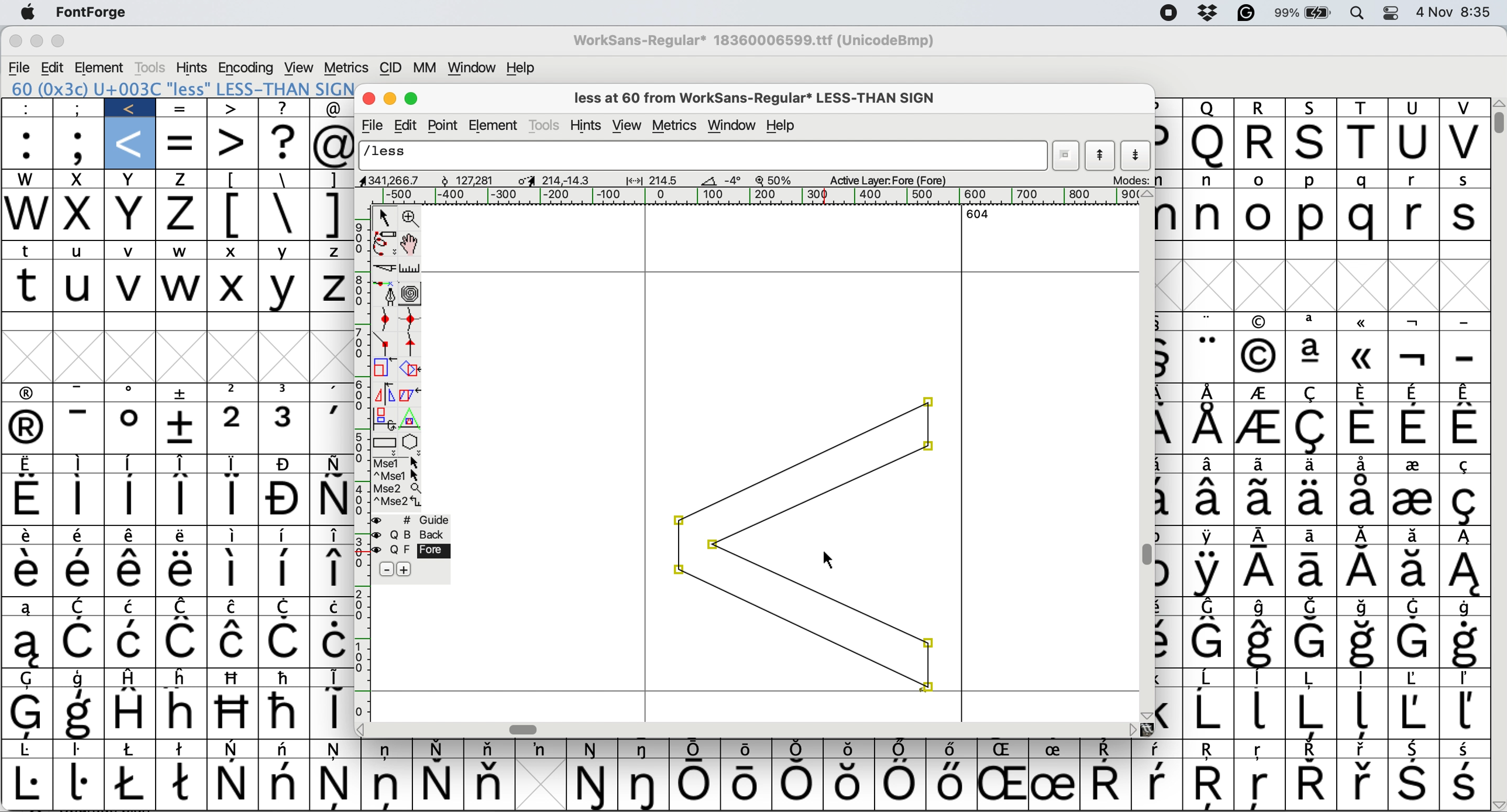  I want to click on Symbol, so click(128, 537).